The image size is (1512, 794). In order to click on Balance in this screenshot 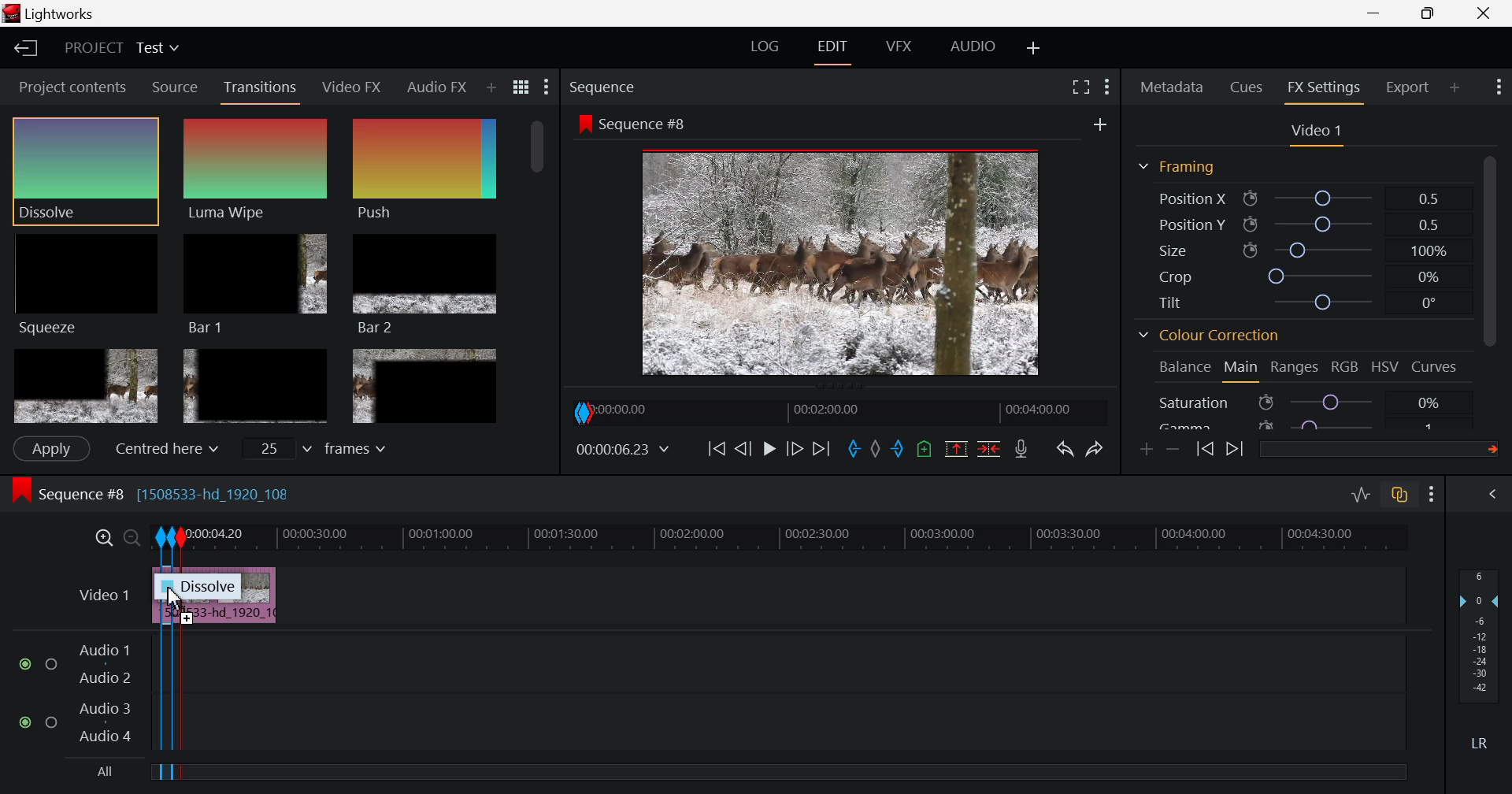, I will do `click(1185, 368)`.